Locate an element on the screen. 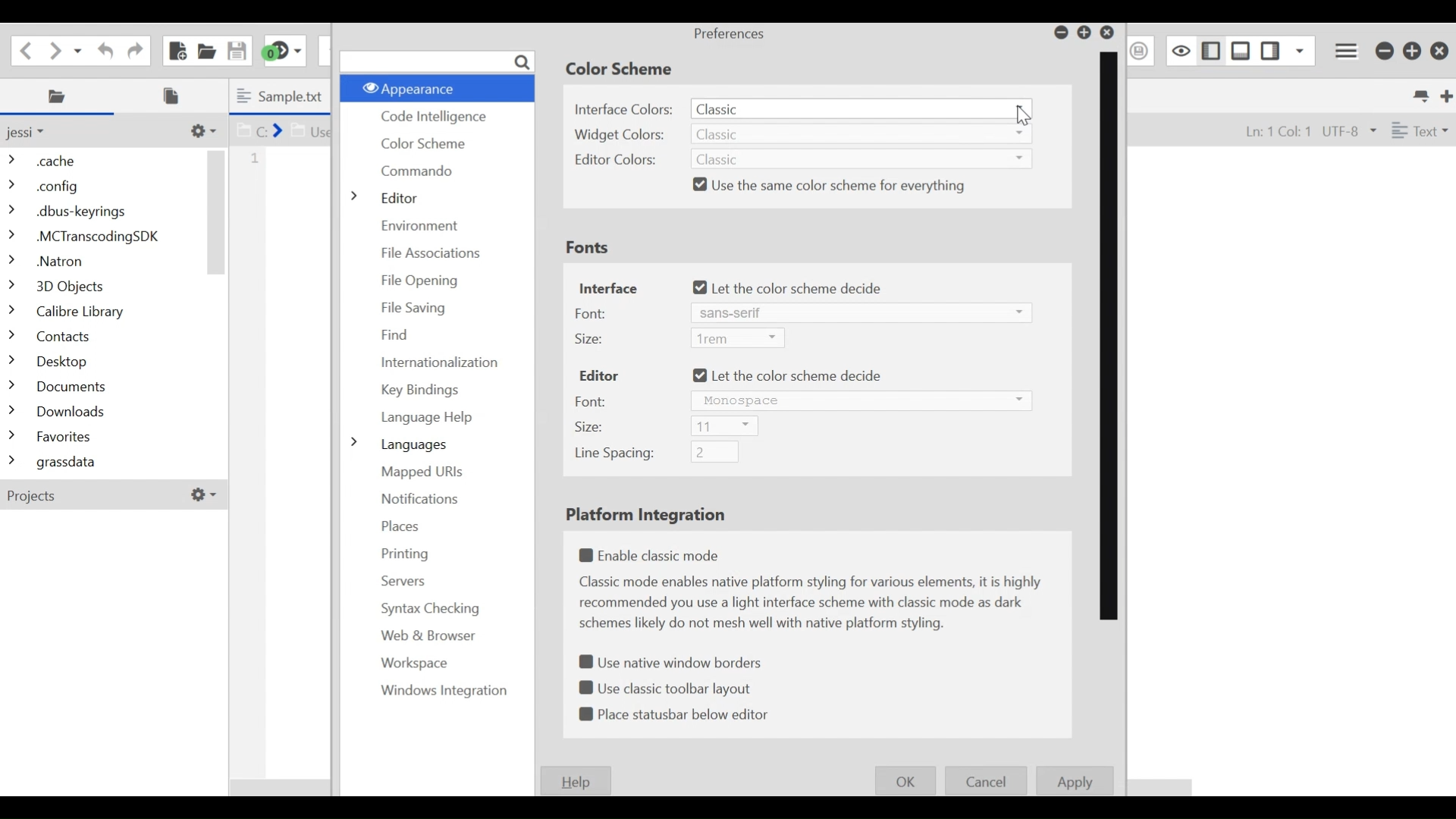 The width and height of the screenshot is (1456, 819). projects is located at coordinates (111, 497).